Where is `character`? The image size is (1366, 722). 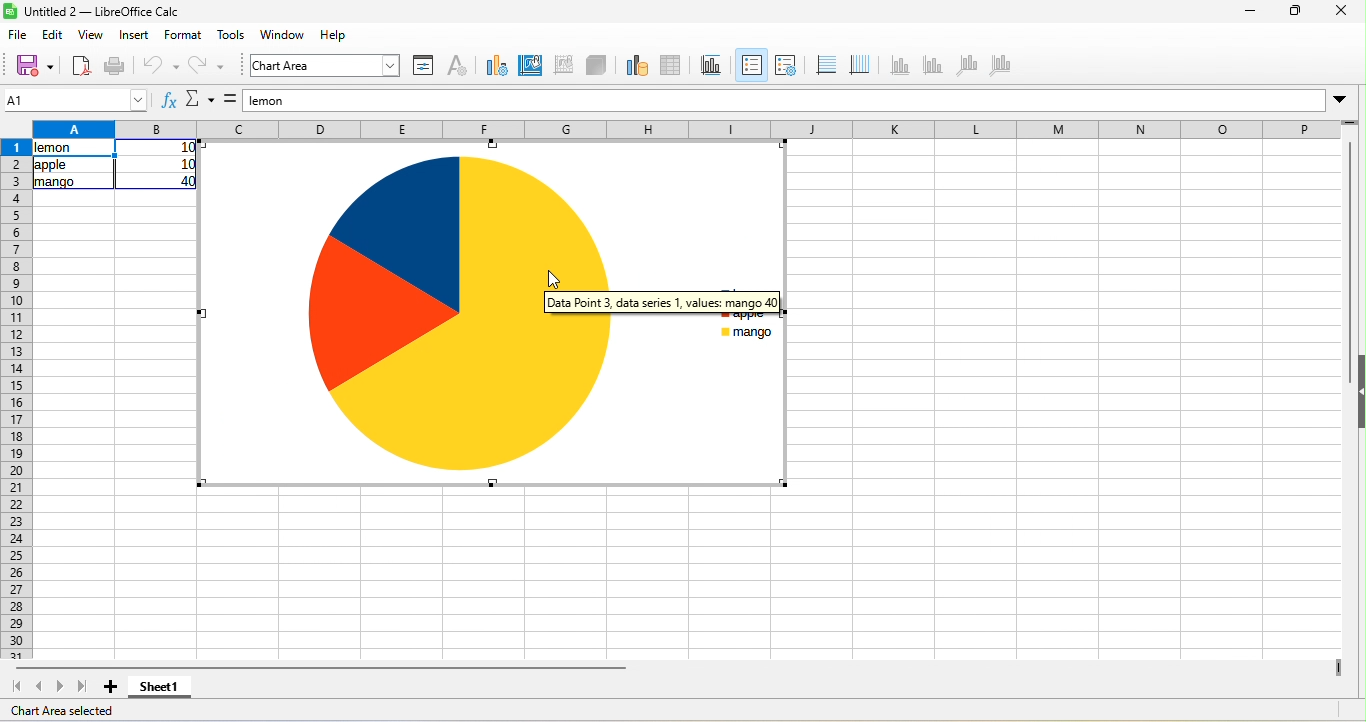 character is located at coordinates (462, 64).